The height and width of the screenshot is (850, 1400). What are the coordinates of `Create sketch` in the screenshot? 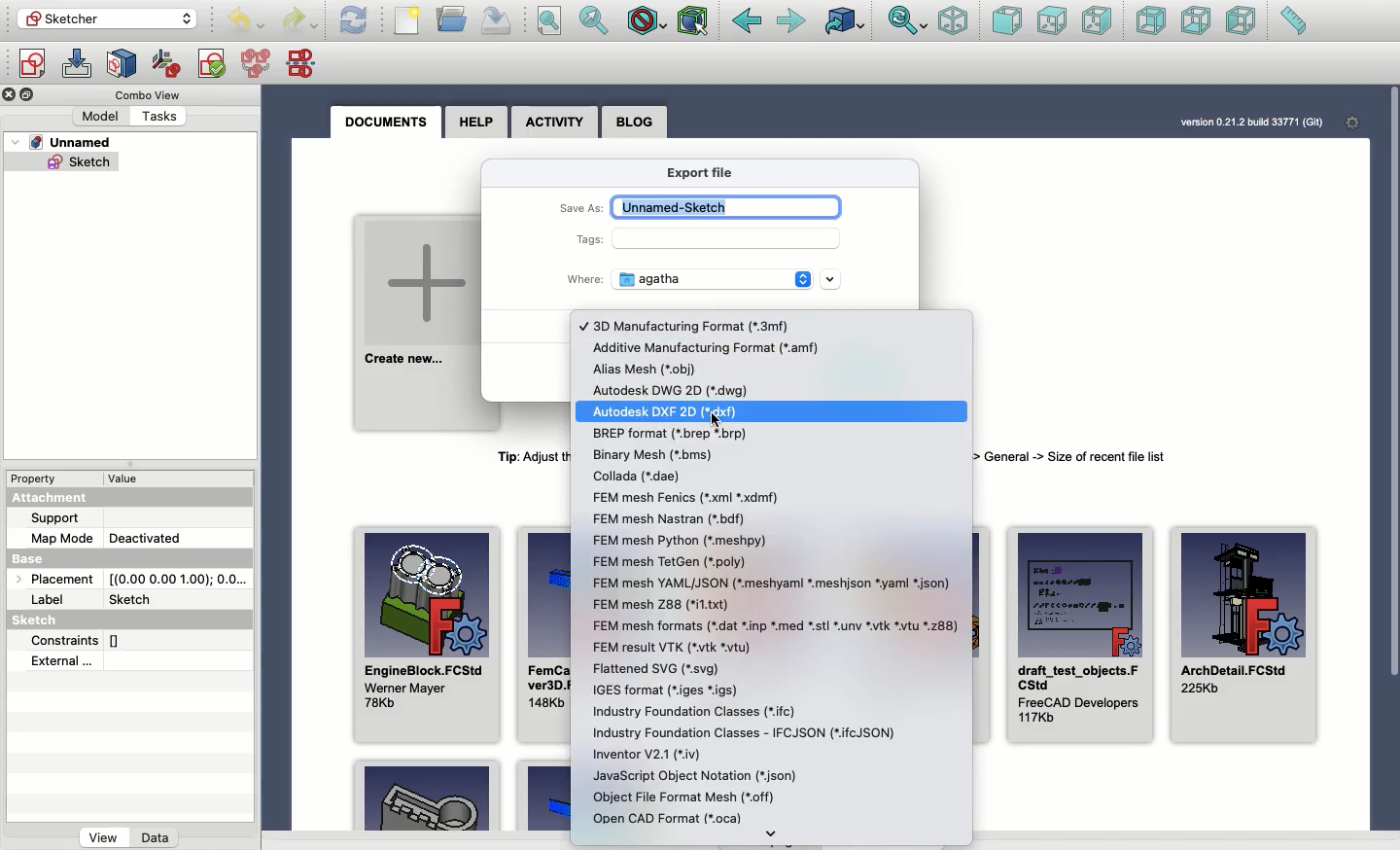 It's located at (30, 63).